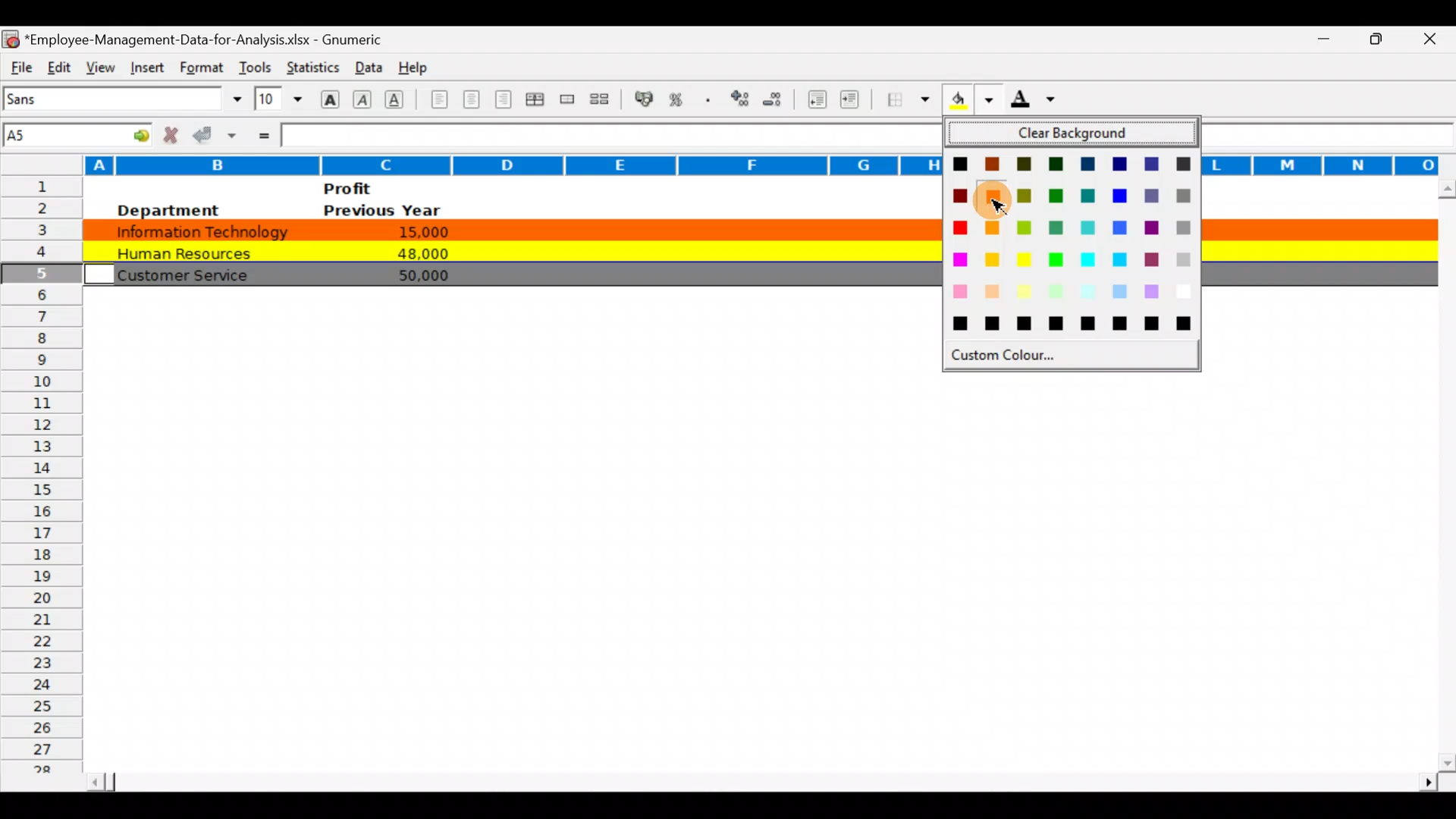 Image resolution: width=1456 pixels, height=819 pixels. I want to click on Custom color, so click(1006, 354).